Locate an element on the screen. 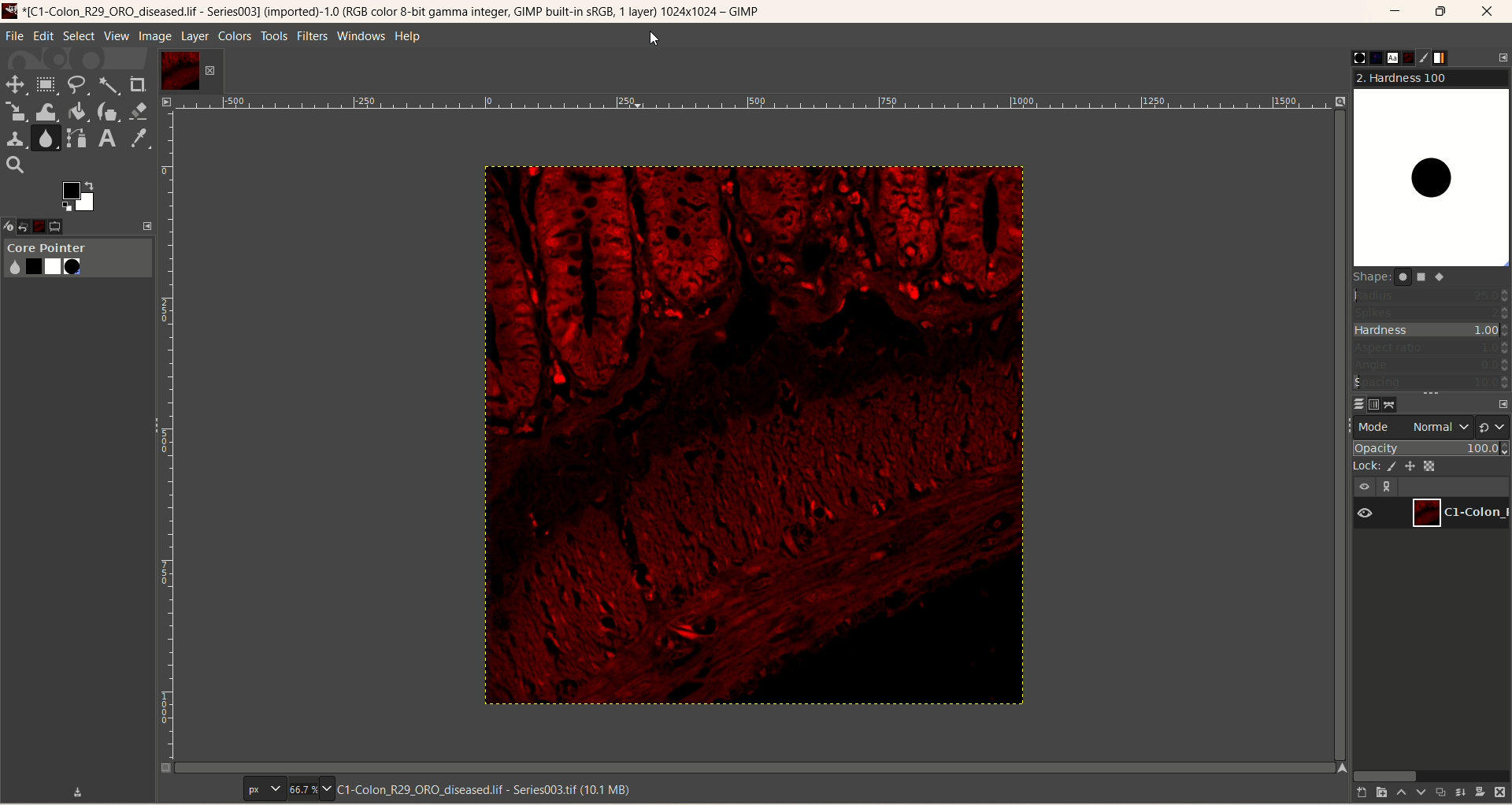 This screenshot has width=1512, height=805. view is located at coordinates (116, 36).